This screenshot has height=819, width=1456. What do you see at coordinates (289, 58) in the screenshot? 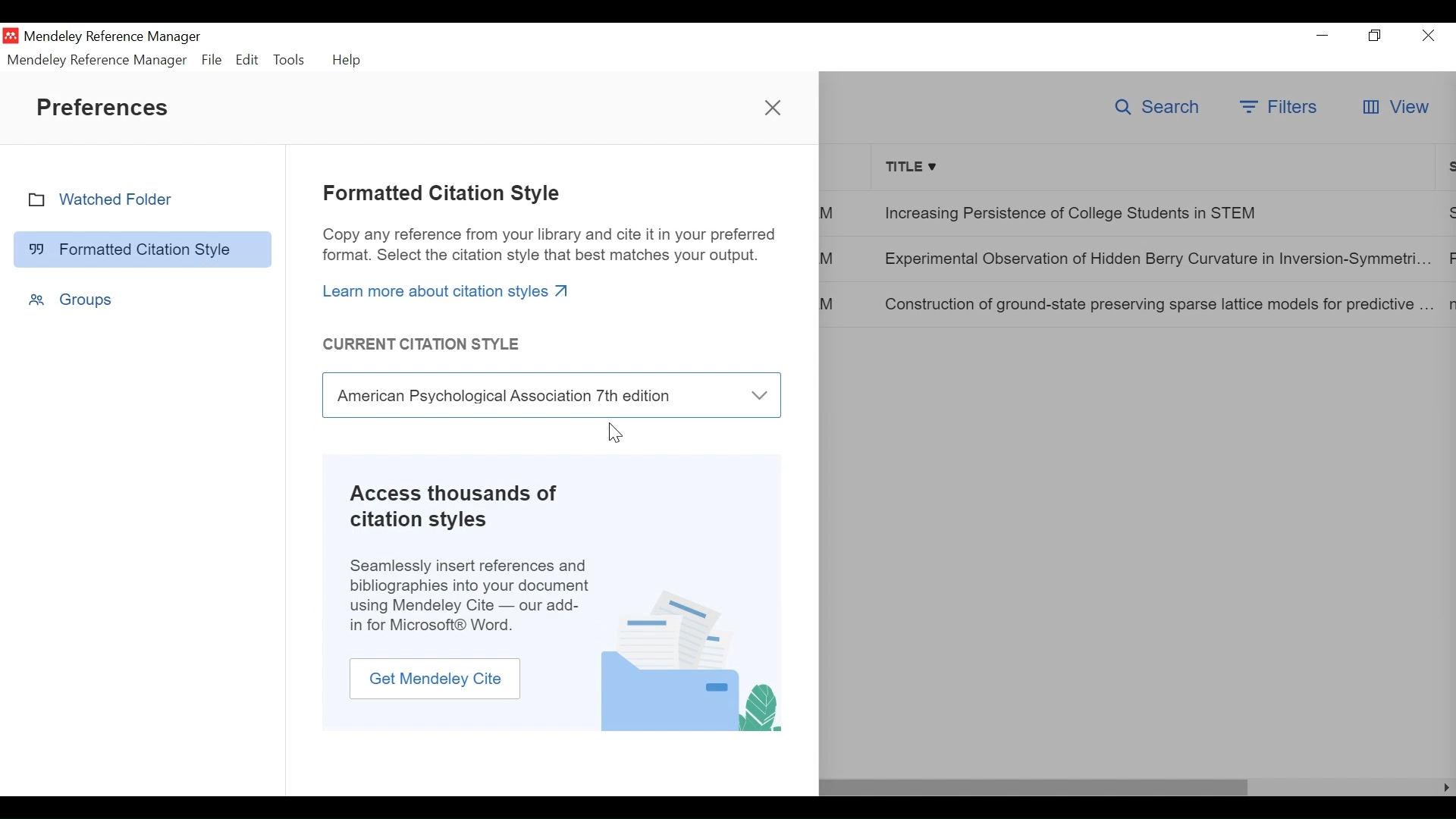
I see `Tools` at bounding box center [289, 58].